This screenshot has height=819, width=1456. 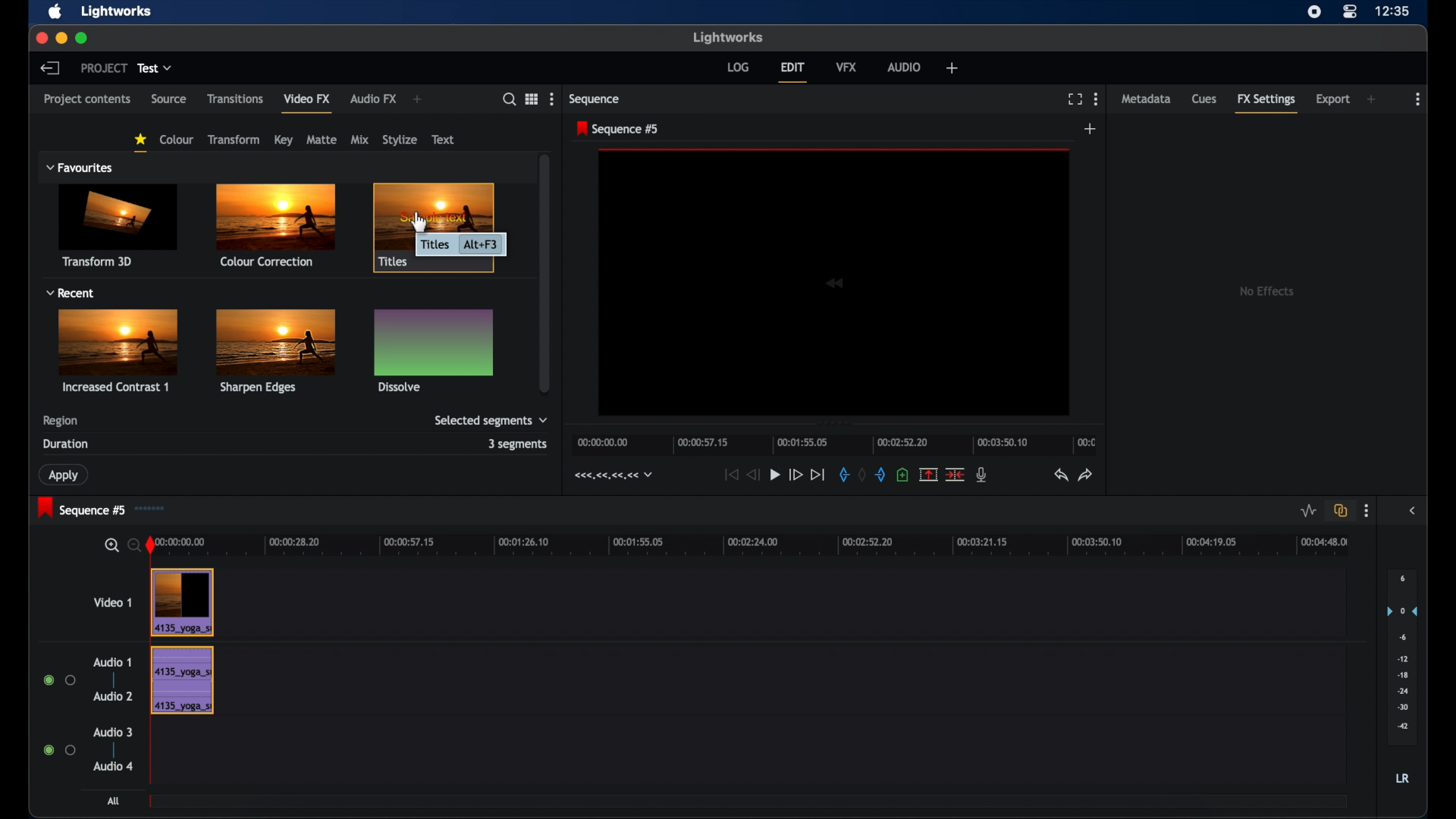 What do you see at coordinates (738, 67) in the screenshot?
I see `log` at bounding box center [738, 67].